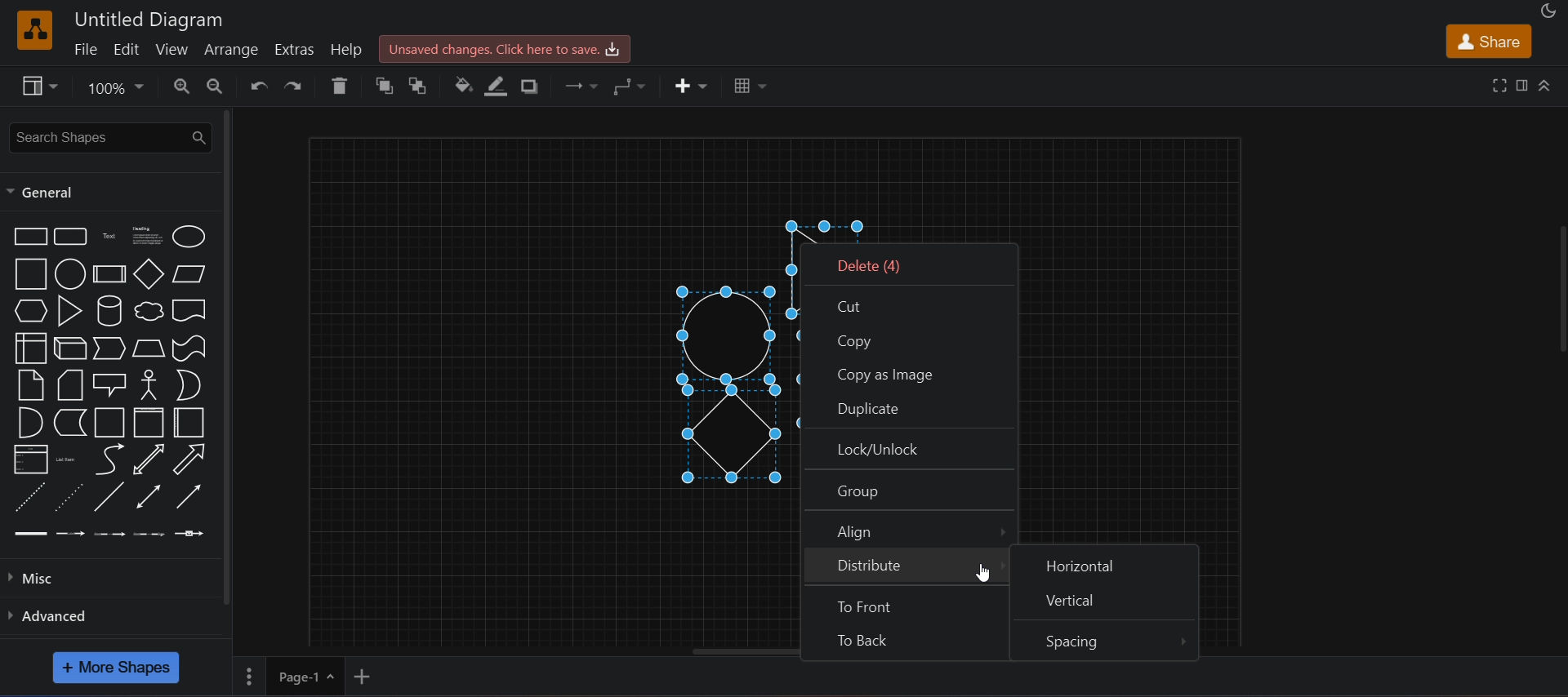  I want to click on internal storage, so click(30, 348).